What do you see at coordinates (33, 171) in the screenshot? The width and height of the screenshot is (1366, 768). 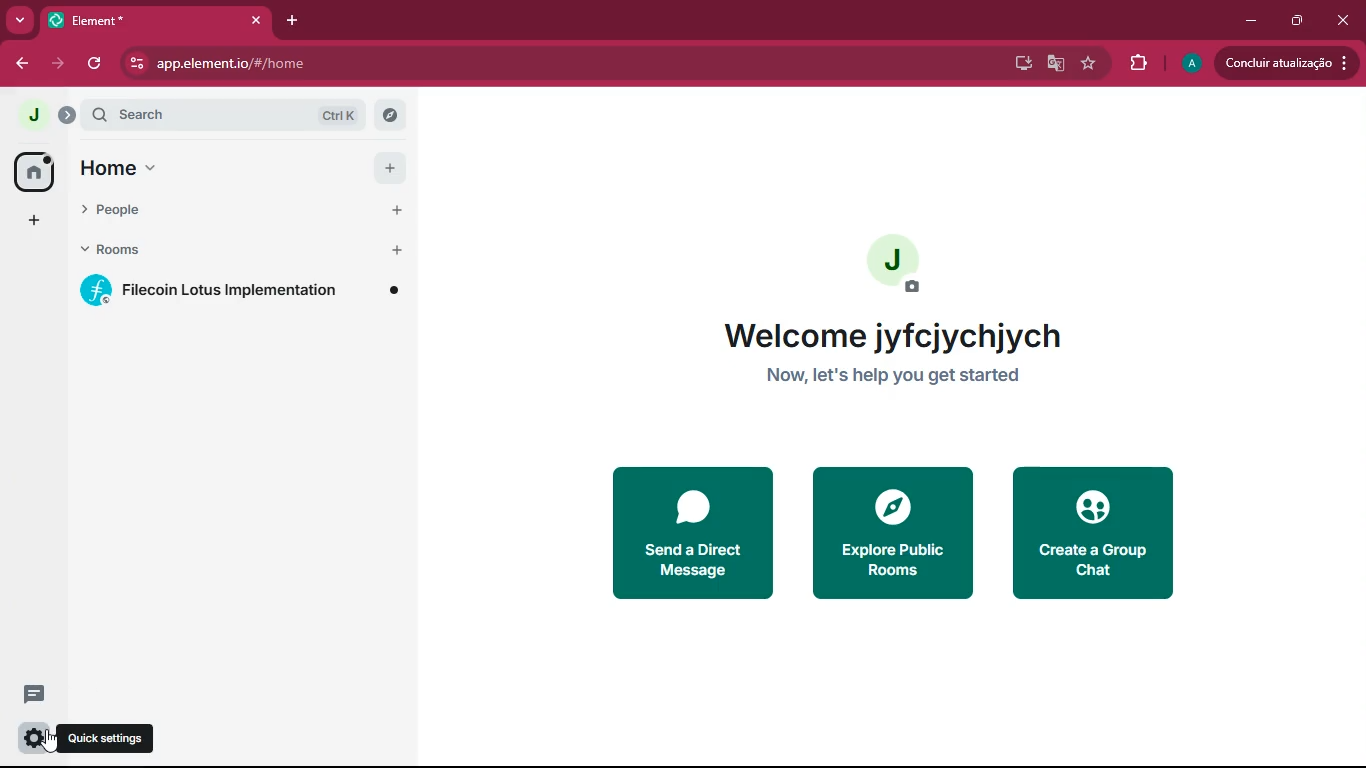 I see `home` at bounding box center [33, 171].